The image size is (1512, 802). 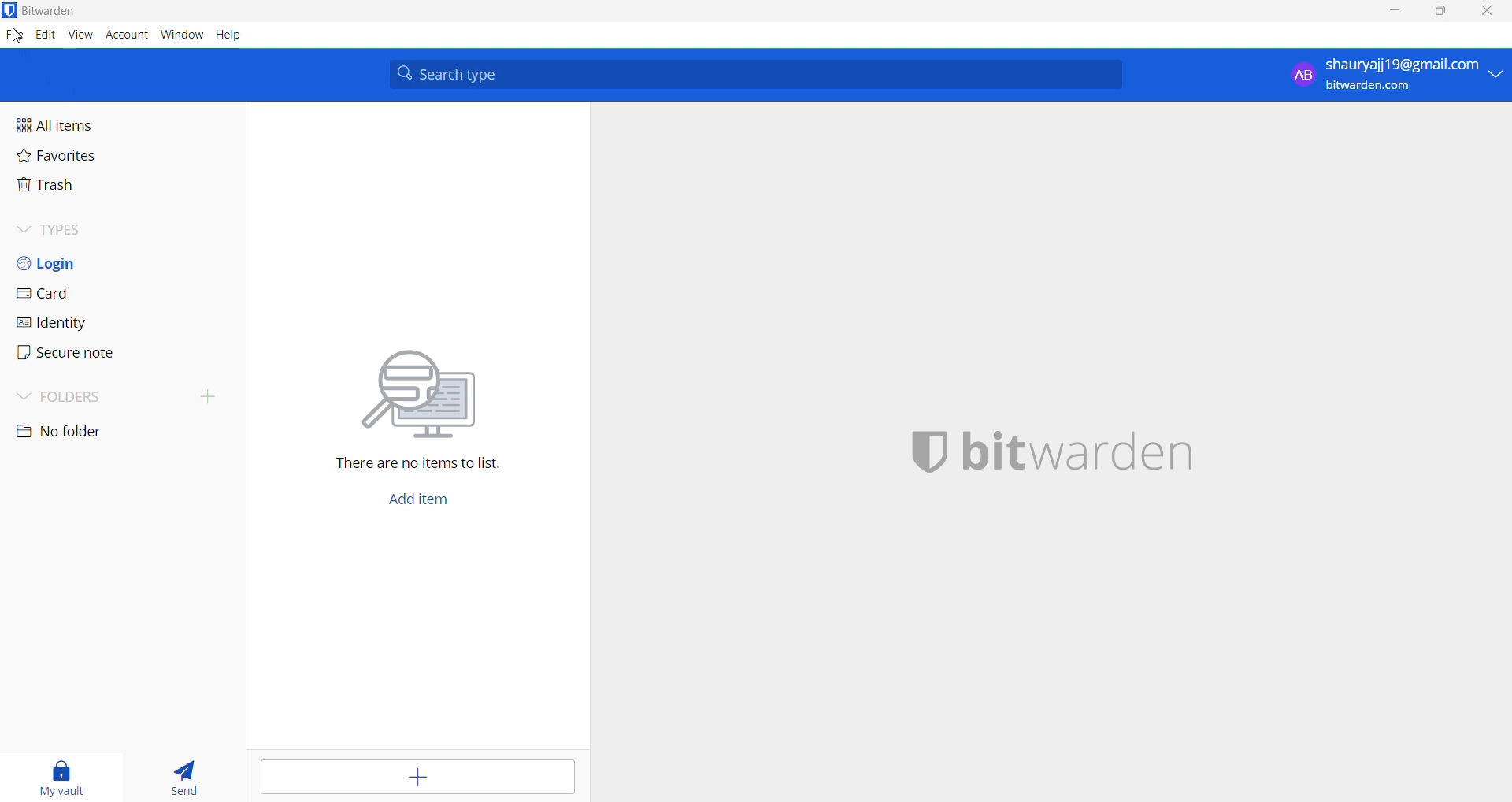 I want to click on account, so click(x=126, y=35).